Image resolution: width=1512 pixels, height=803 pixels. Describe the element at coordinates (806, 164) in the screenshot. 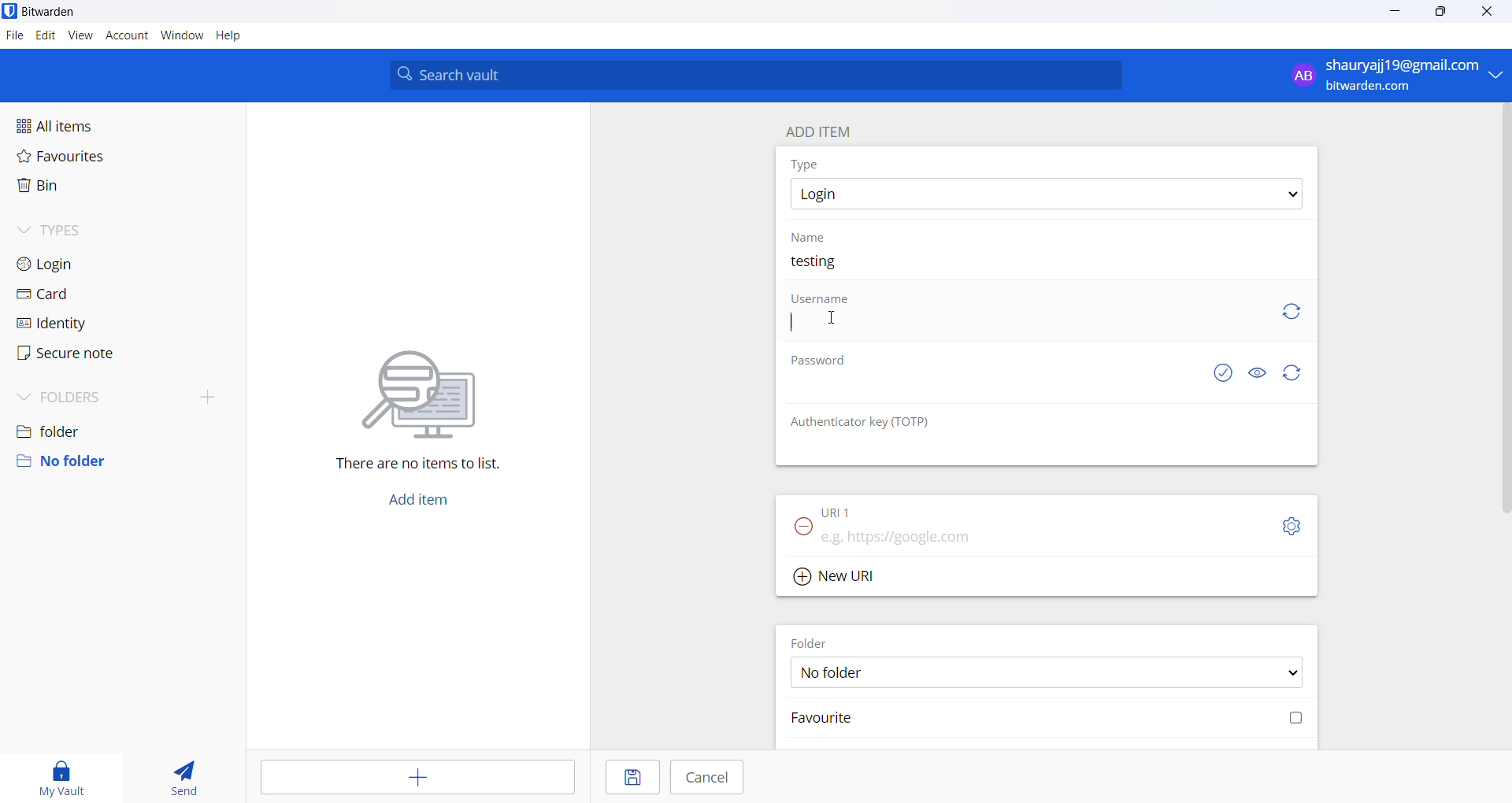

I see `type heading` at that location.